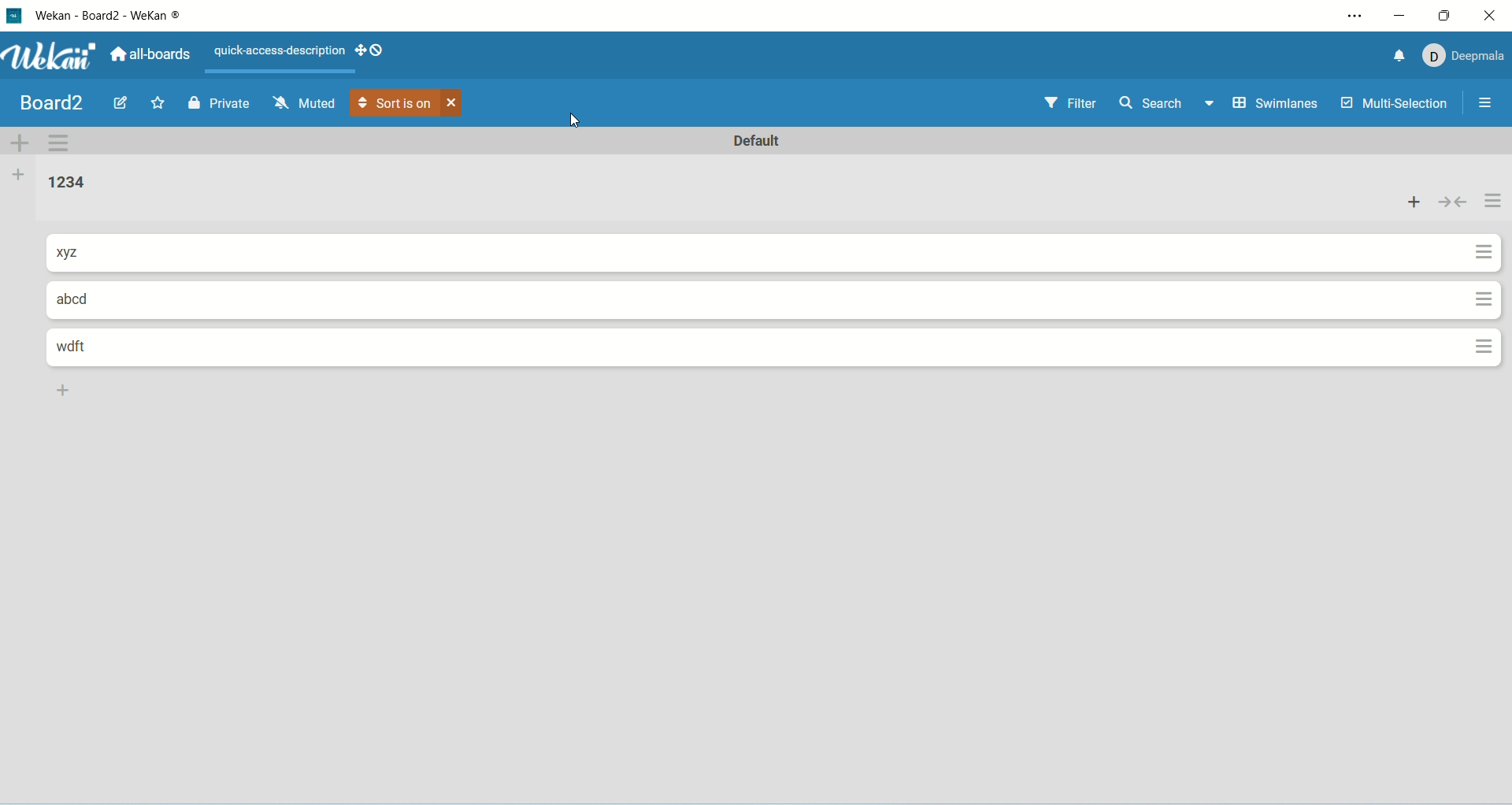  What do you see at coordinates (372, 51) in the screenshot?
I see `show-desktop-drag-handles` at bounding box center [372, 51].